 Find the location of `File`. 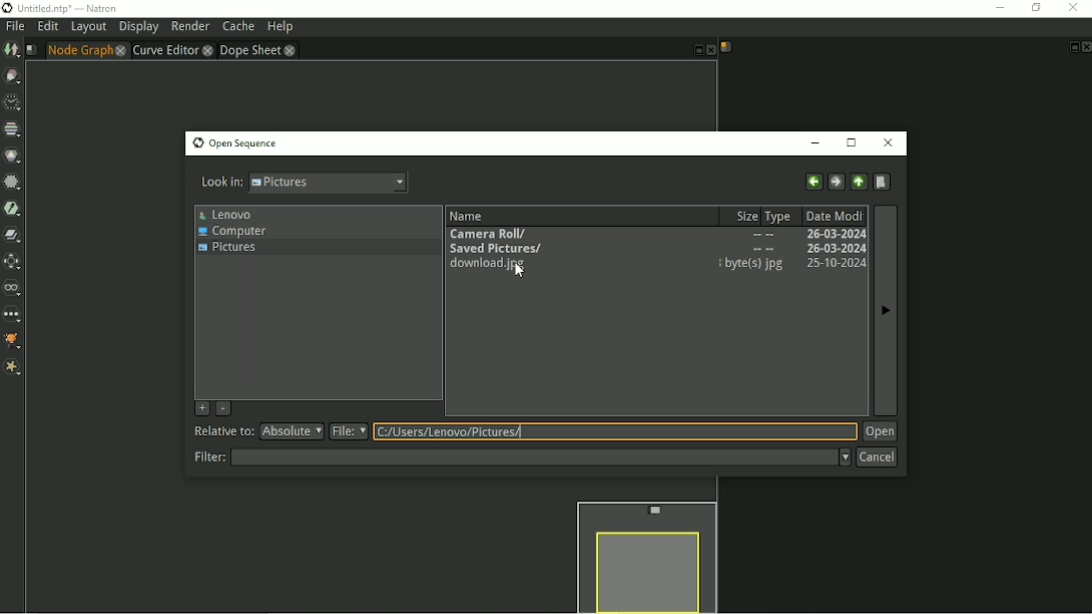

File is located at coordinates (14, 27).